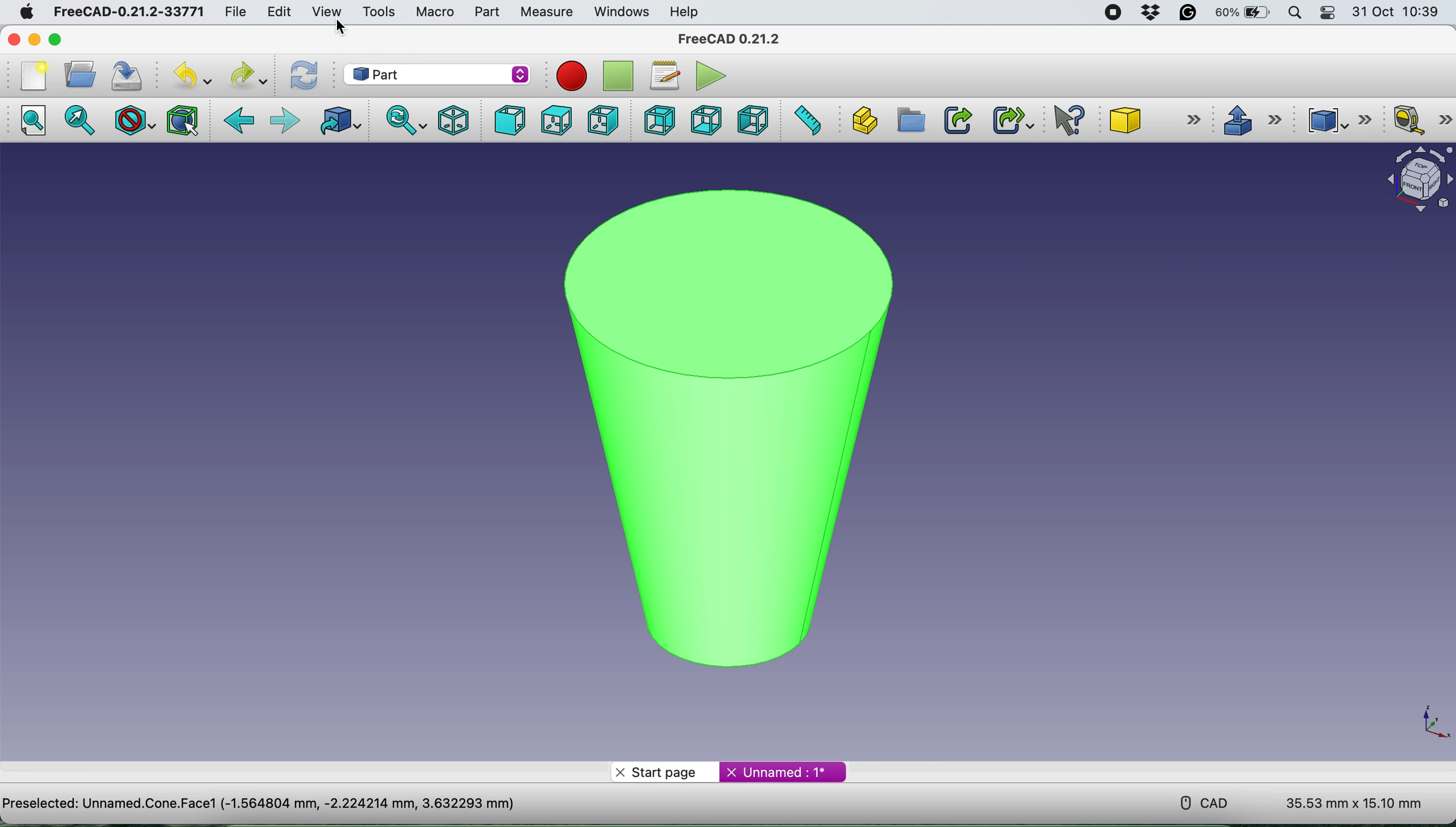 This screenshot has width=1456, height=827. Describe the element at coordinates (77, 74) in the screenshot. I see `open` at that location.